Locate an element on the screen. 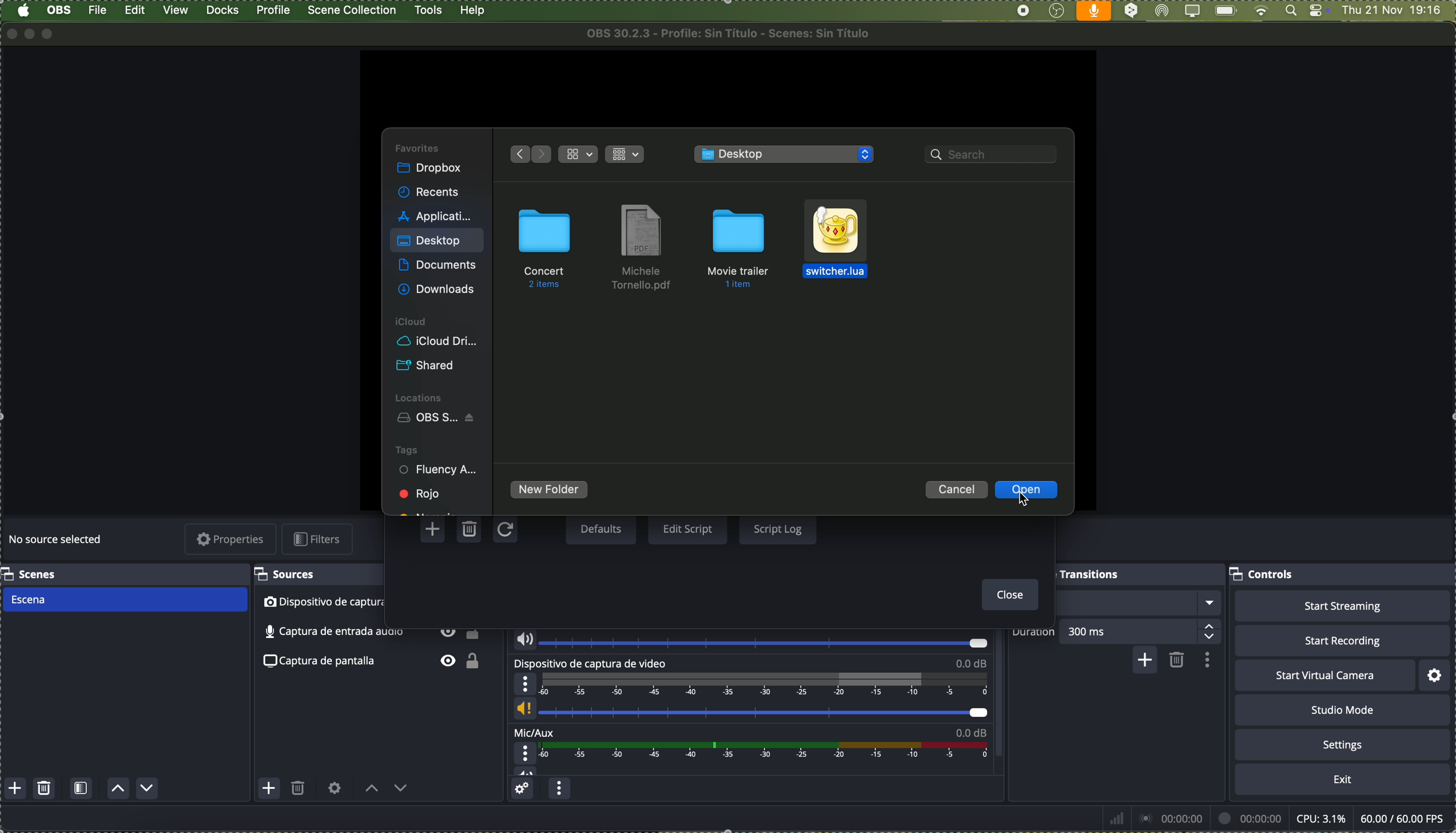  voice activated is located at coordinates (1094, 11).